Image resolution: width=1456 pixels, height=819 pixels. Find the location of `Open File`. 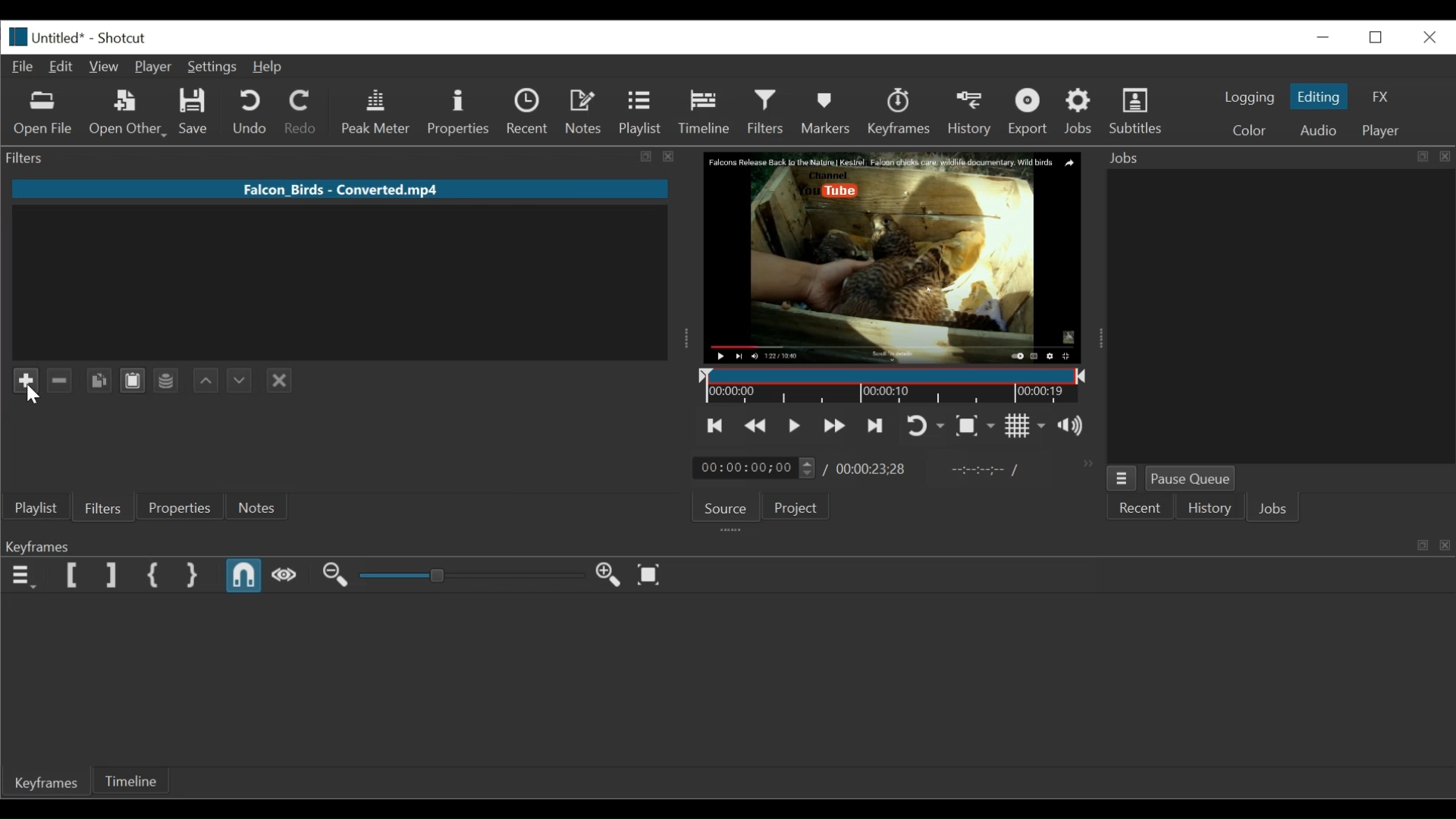

Open File is located at coordinates (44, 115).